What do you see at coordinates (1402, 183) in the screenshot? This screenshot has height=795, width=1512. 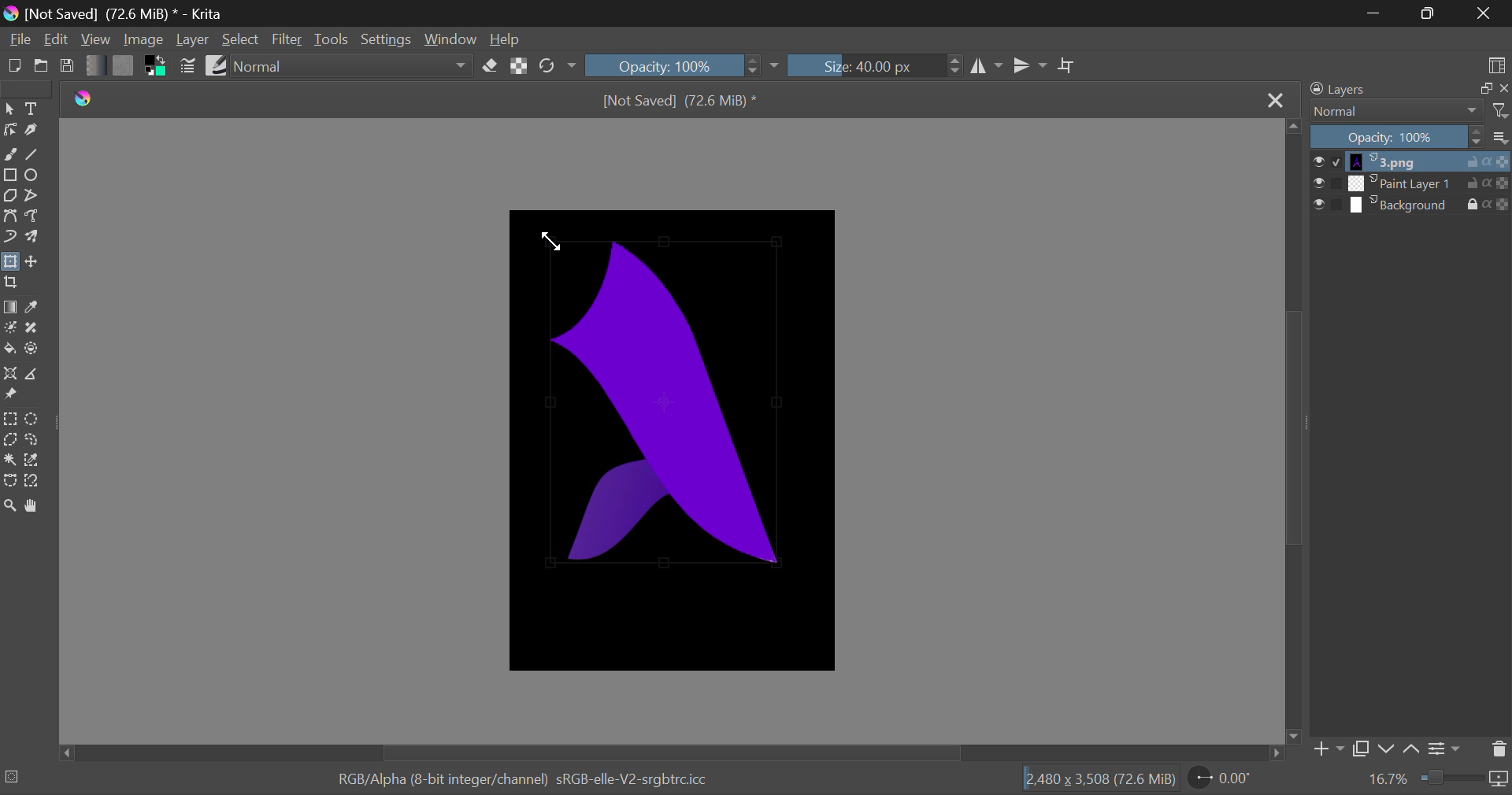 I see `layer 2` at bounding box center [1402, 183].